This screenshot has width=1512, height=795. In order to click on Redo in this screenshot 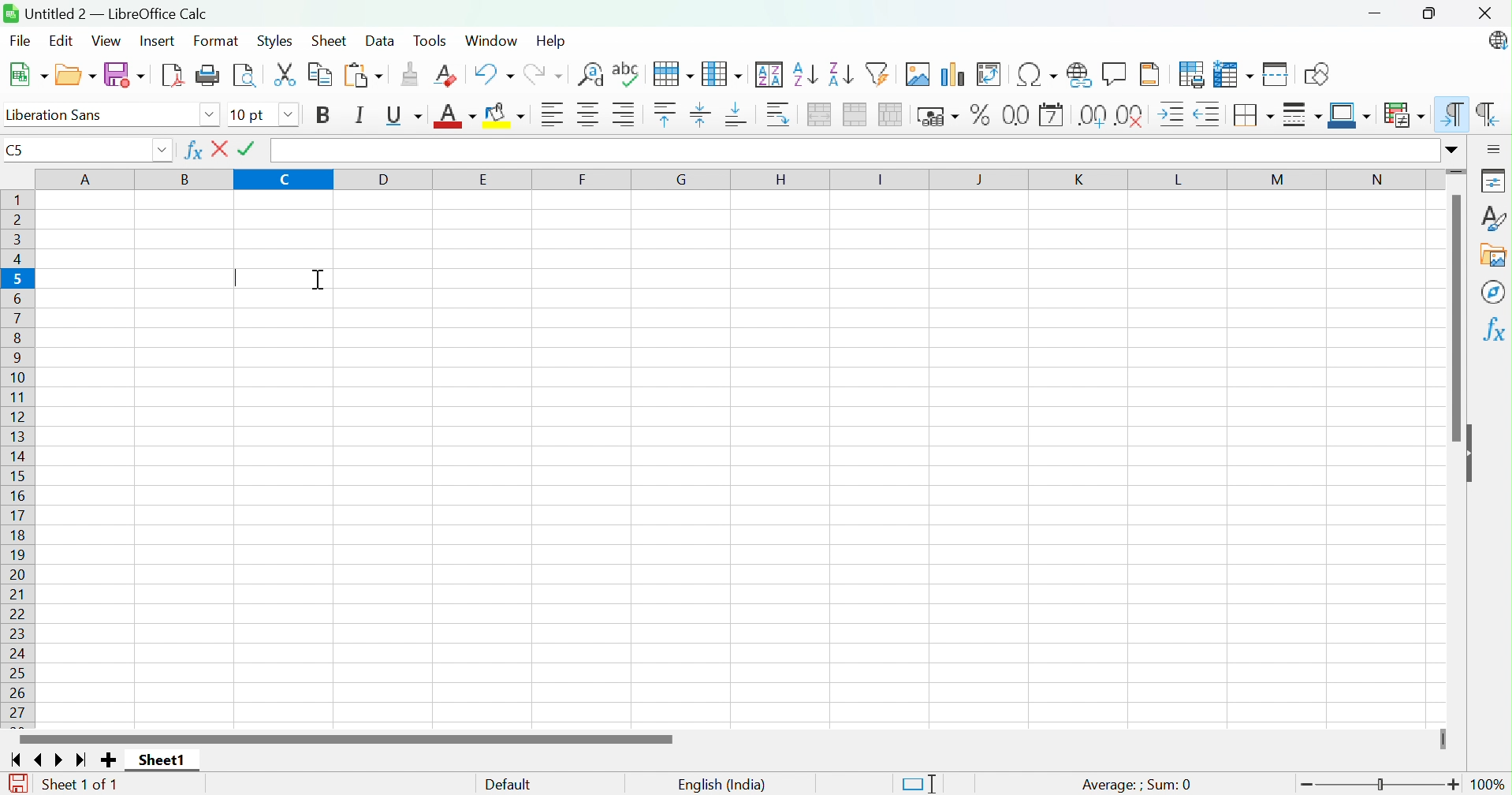, I will do `click(542, 76)`.